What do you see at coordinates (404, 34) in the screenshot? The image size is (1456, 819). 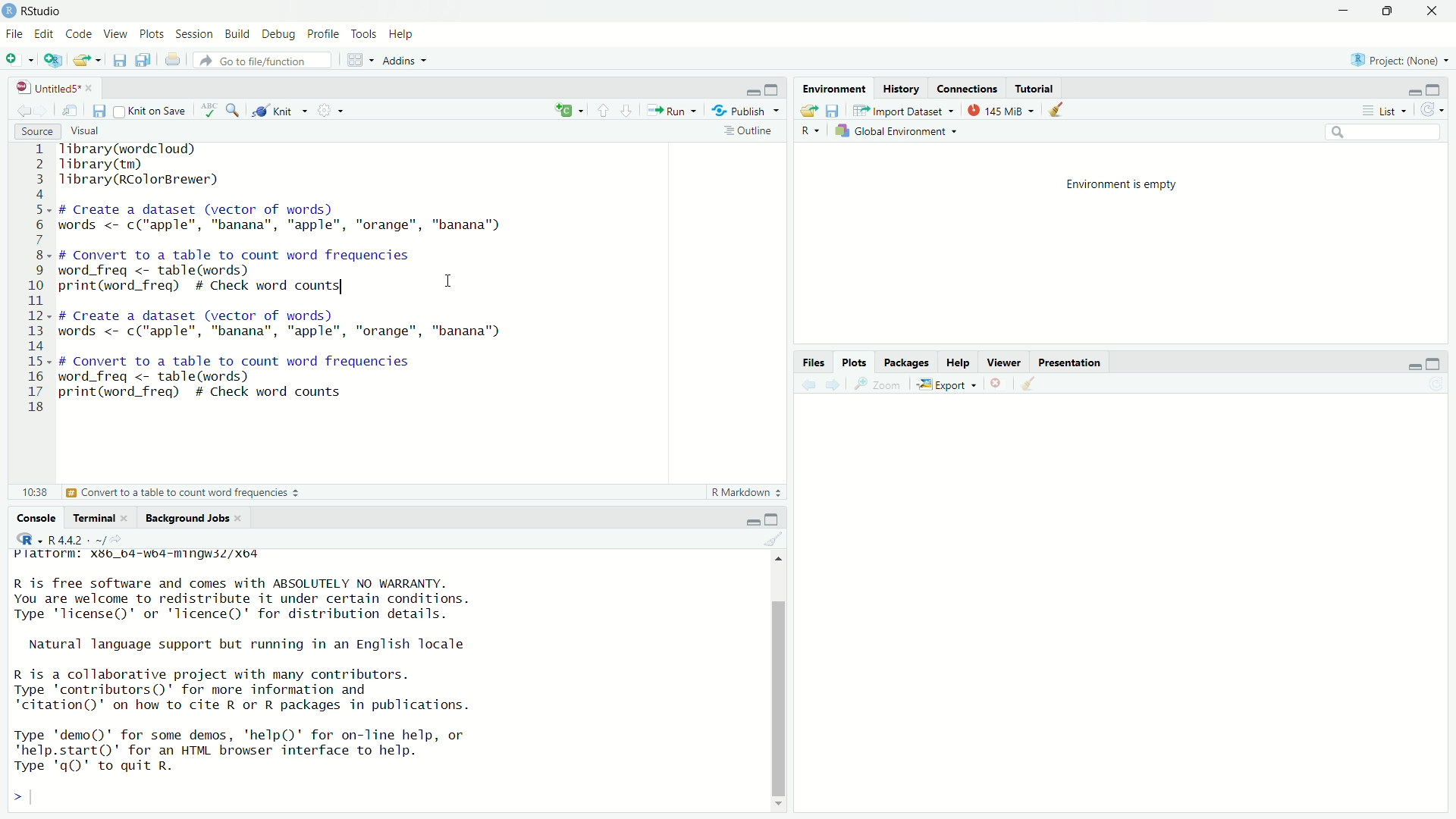 I see `Help` at bounding box center [404, 34].